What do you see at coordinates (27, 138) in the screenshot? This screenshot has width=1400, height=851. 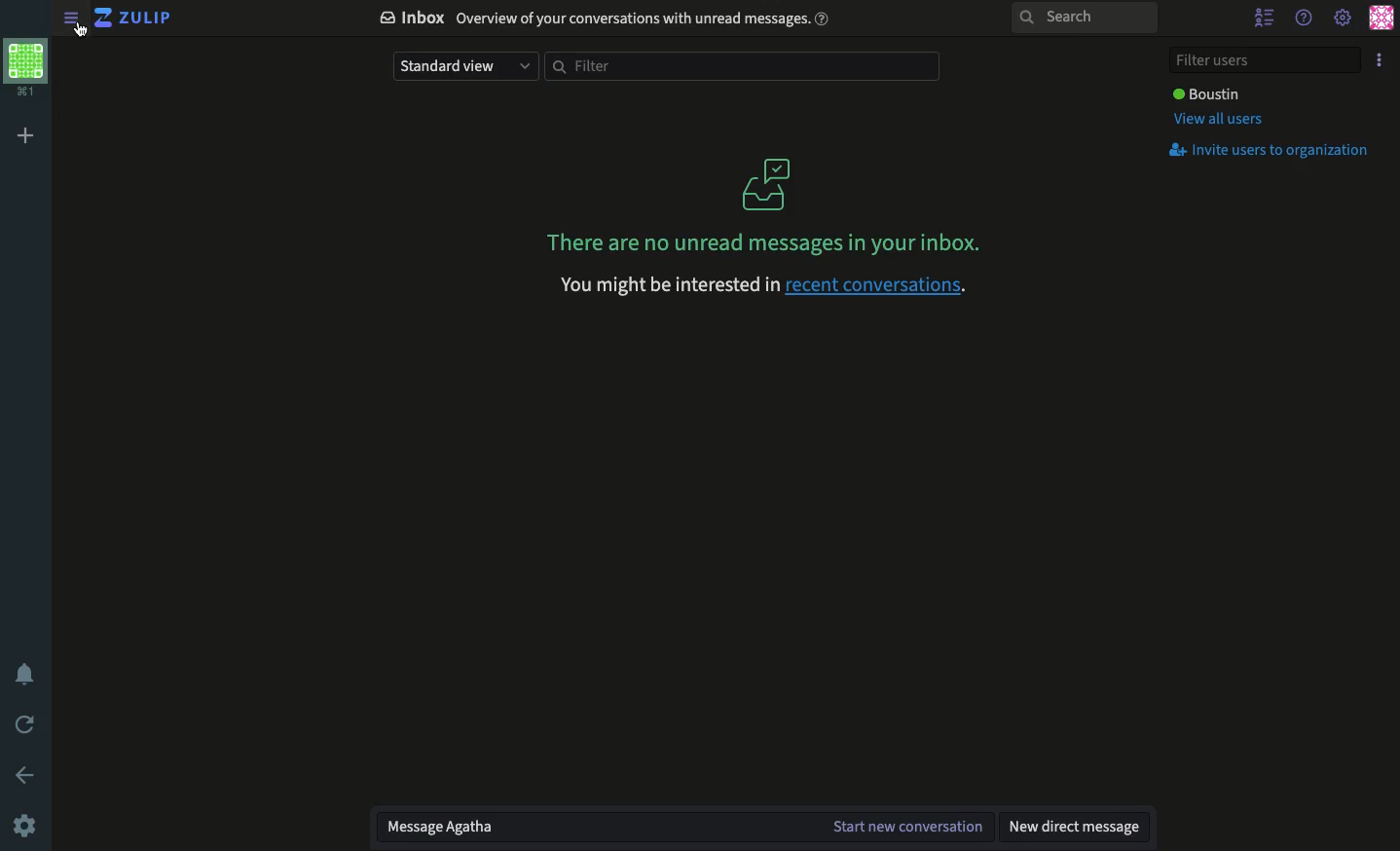 I see `Add` at bounding box center [27, 138].